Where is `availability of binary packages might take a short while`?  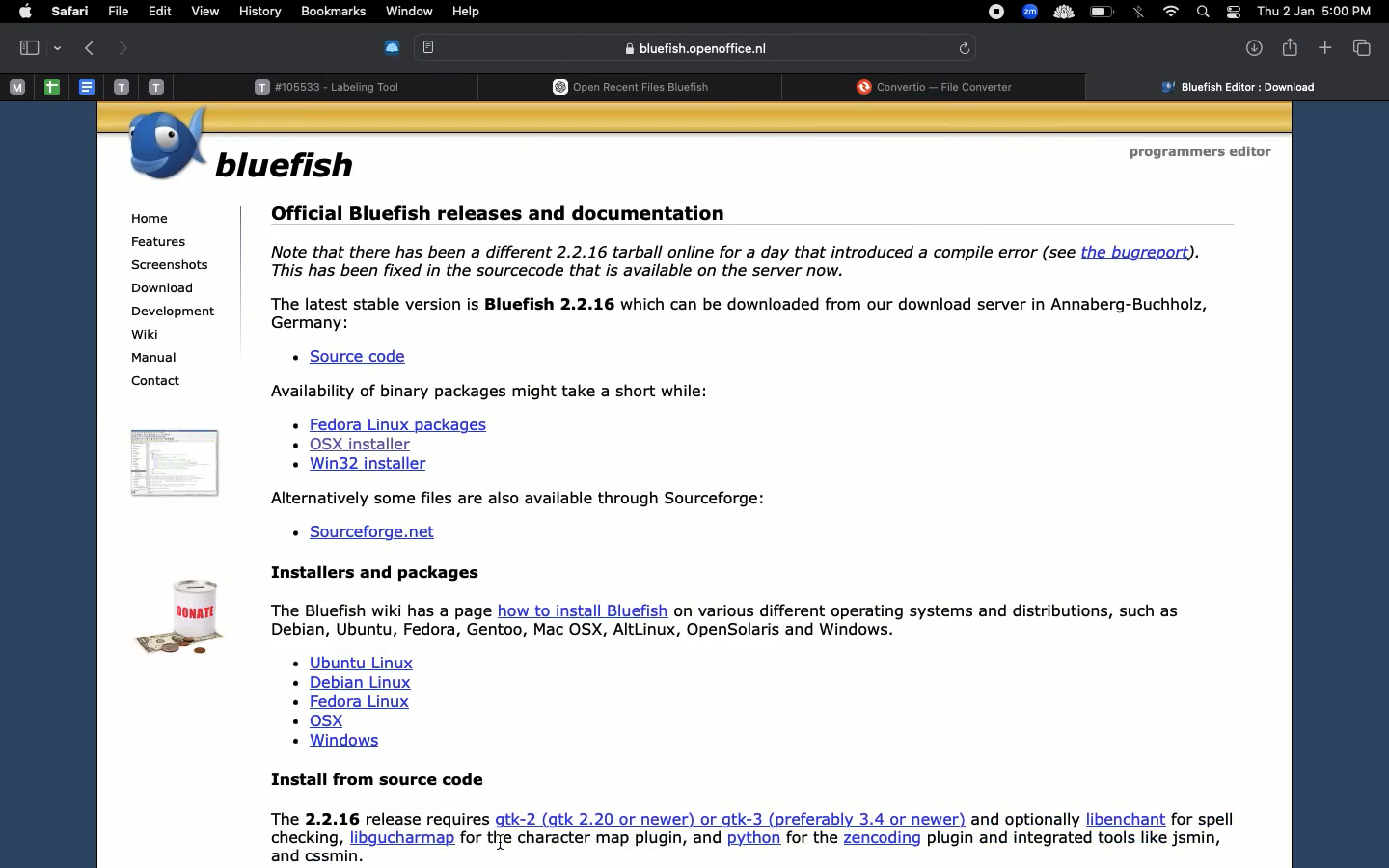
availability of binary packages might take a short while is located at coordinates (497, 392).